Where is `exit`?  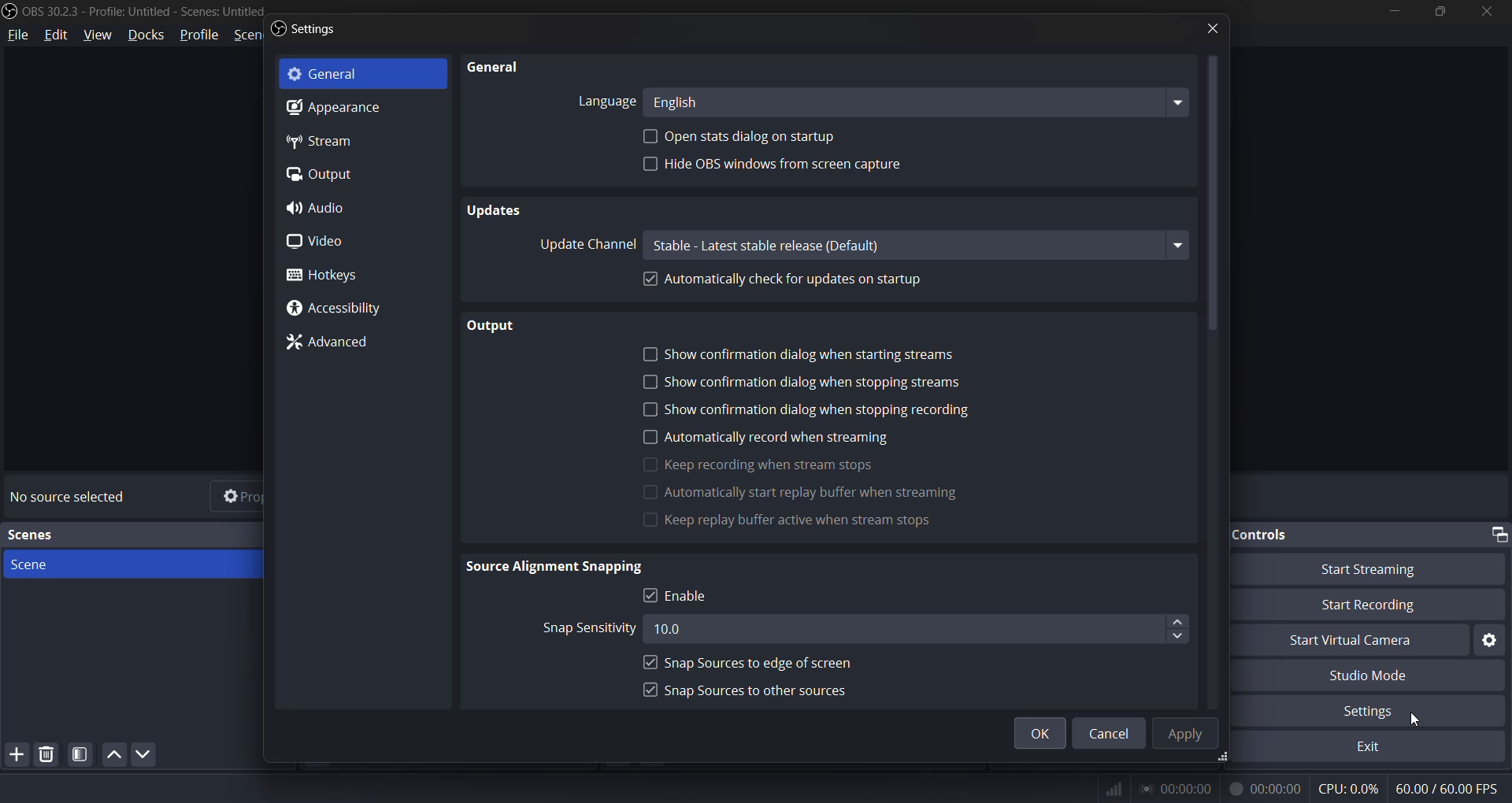 exit is located at coordinates (1366, 746).